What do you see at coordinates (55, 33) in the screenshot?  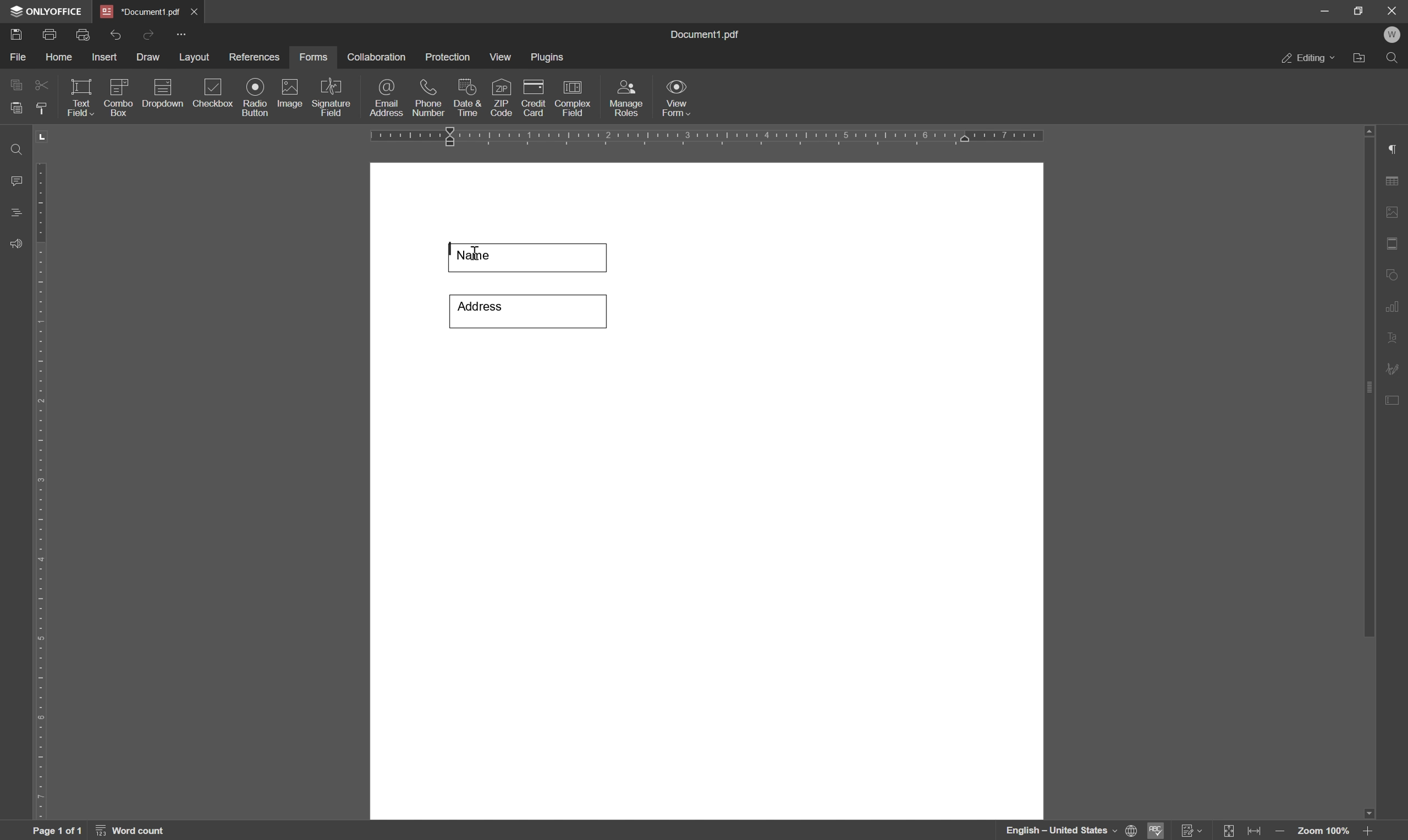 I see `print` at bounding box center [55, 33].